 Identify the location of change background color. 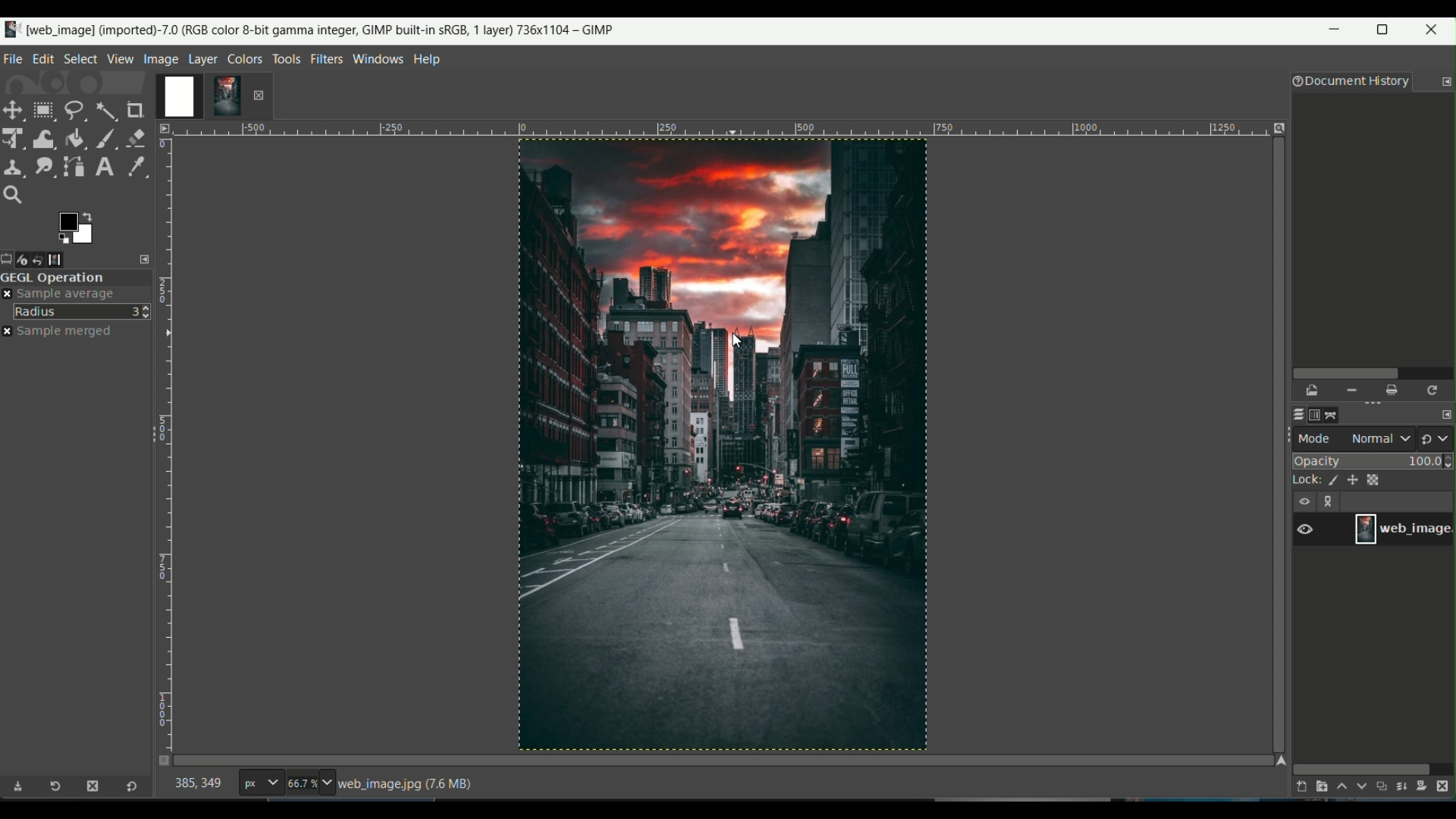
(75, 227).